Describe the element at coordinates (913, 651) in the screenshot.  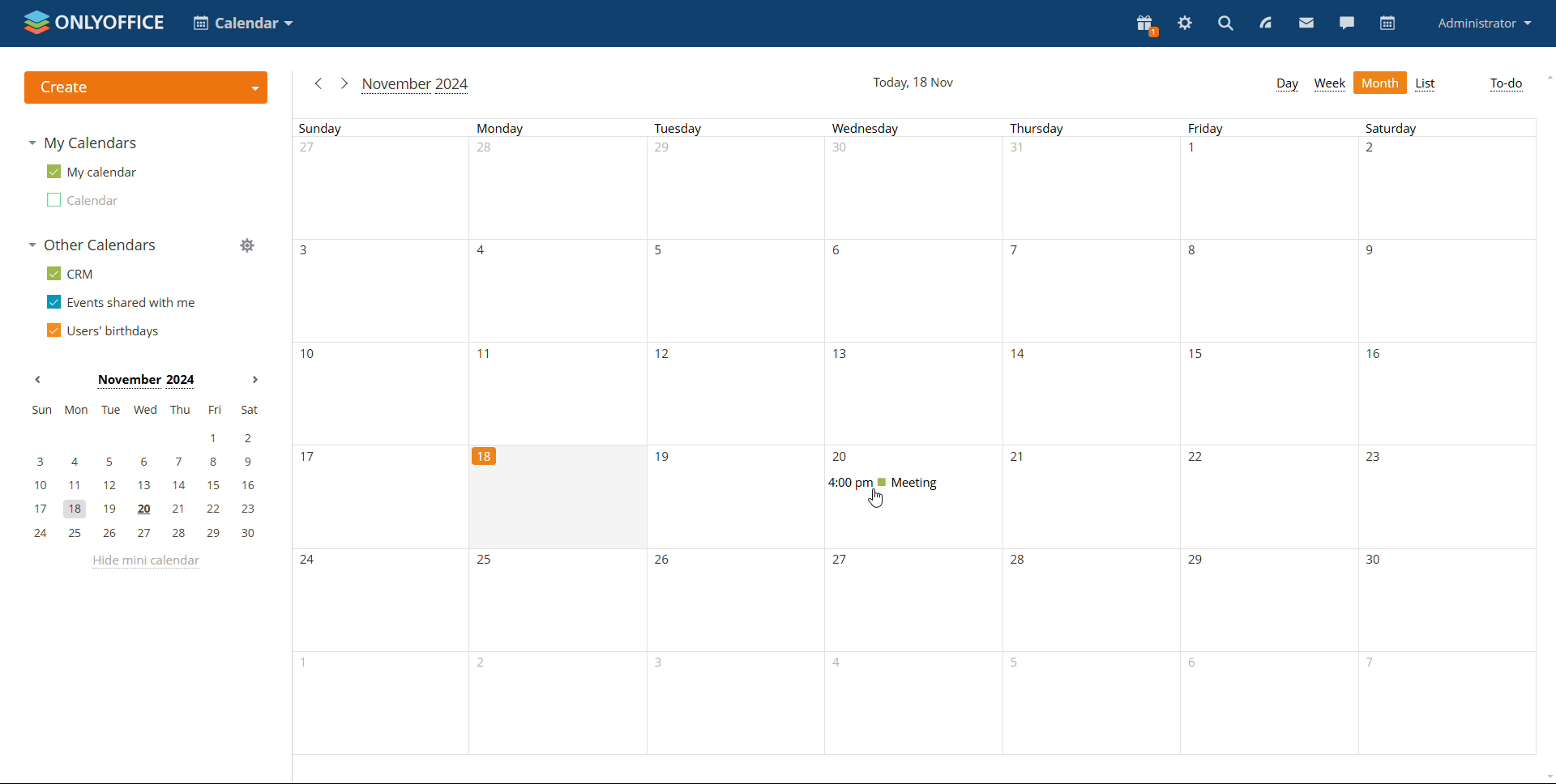
I see `wednesday` at that location.